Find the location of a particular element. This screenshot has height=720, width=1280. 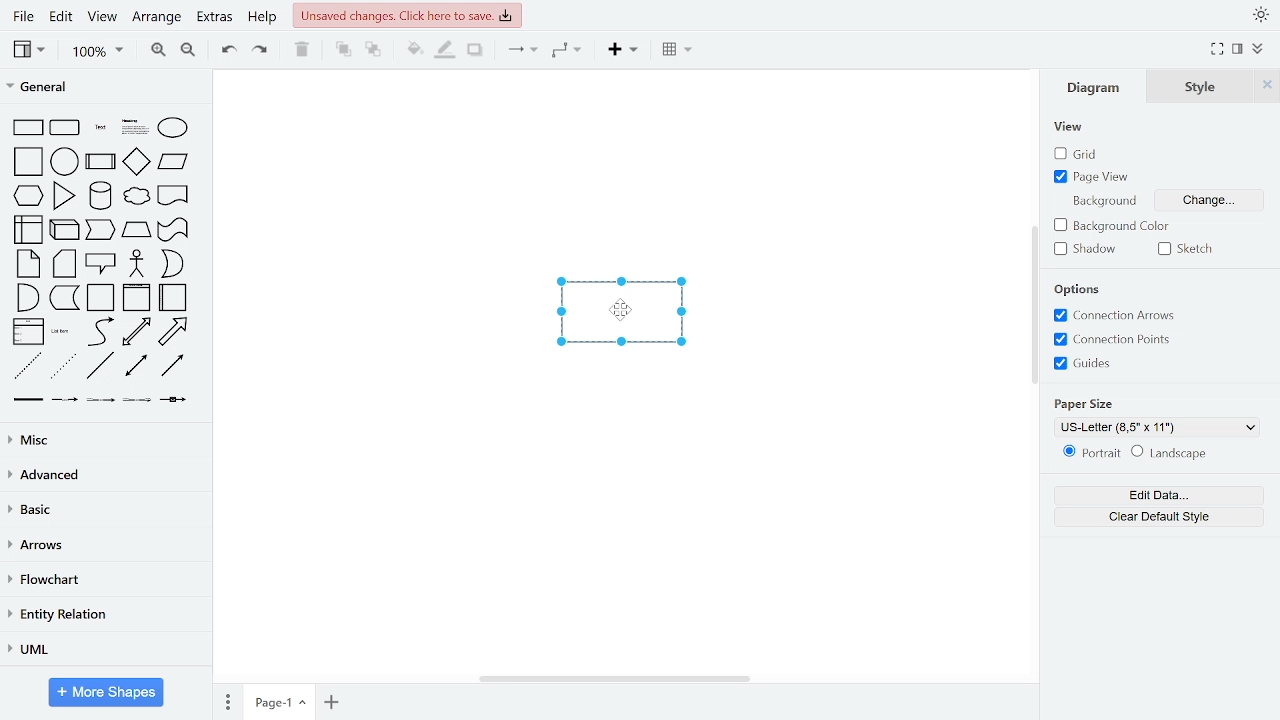

general shapes is located at coordinates (136, 297).